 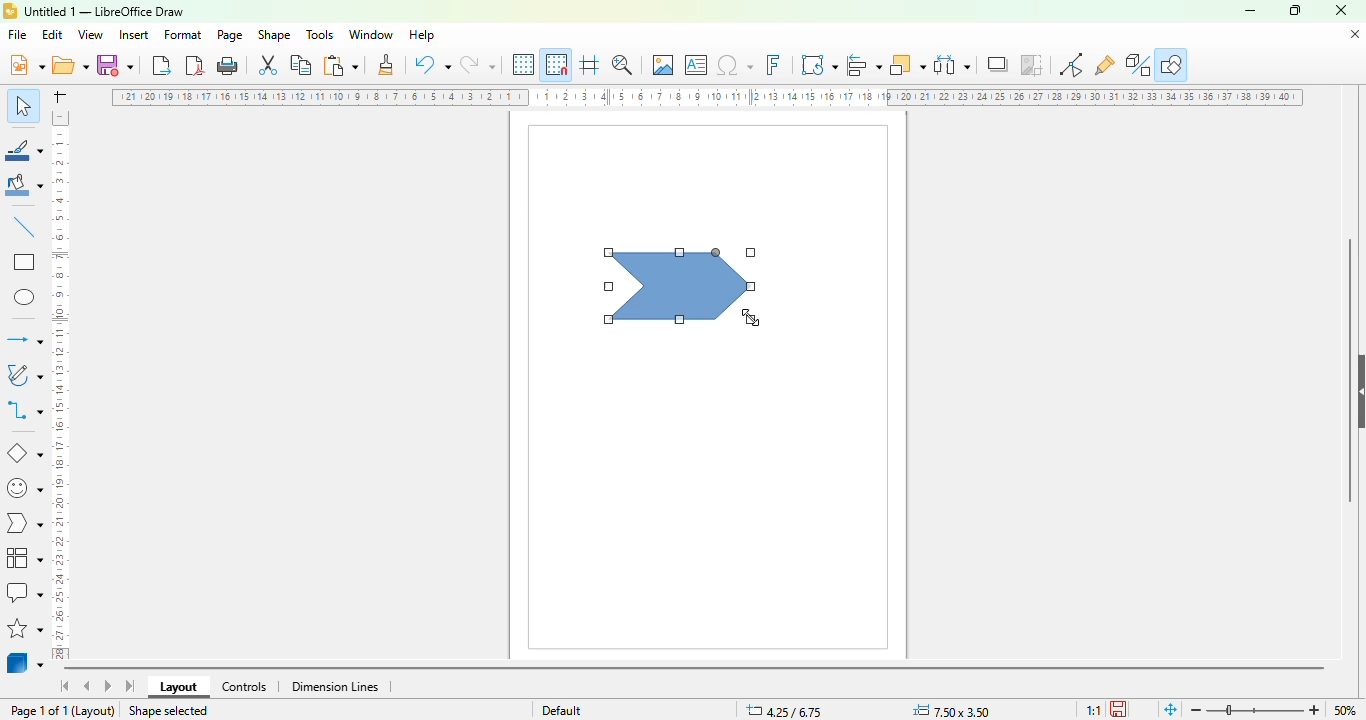 I want to click on paste, so click(x=340, y=65).